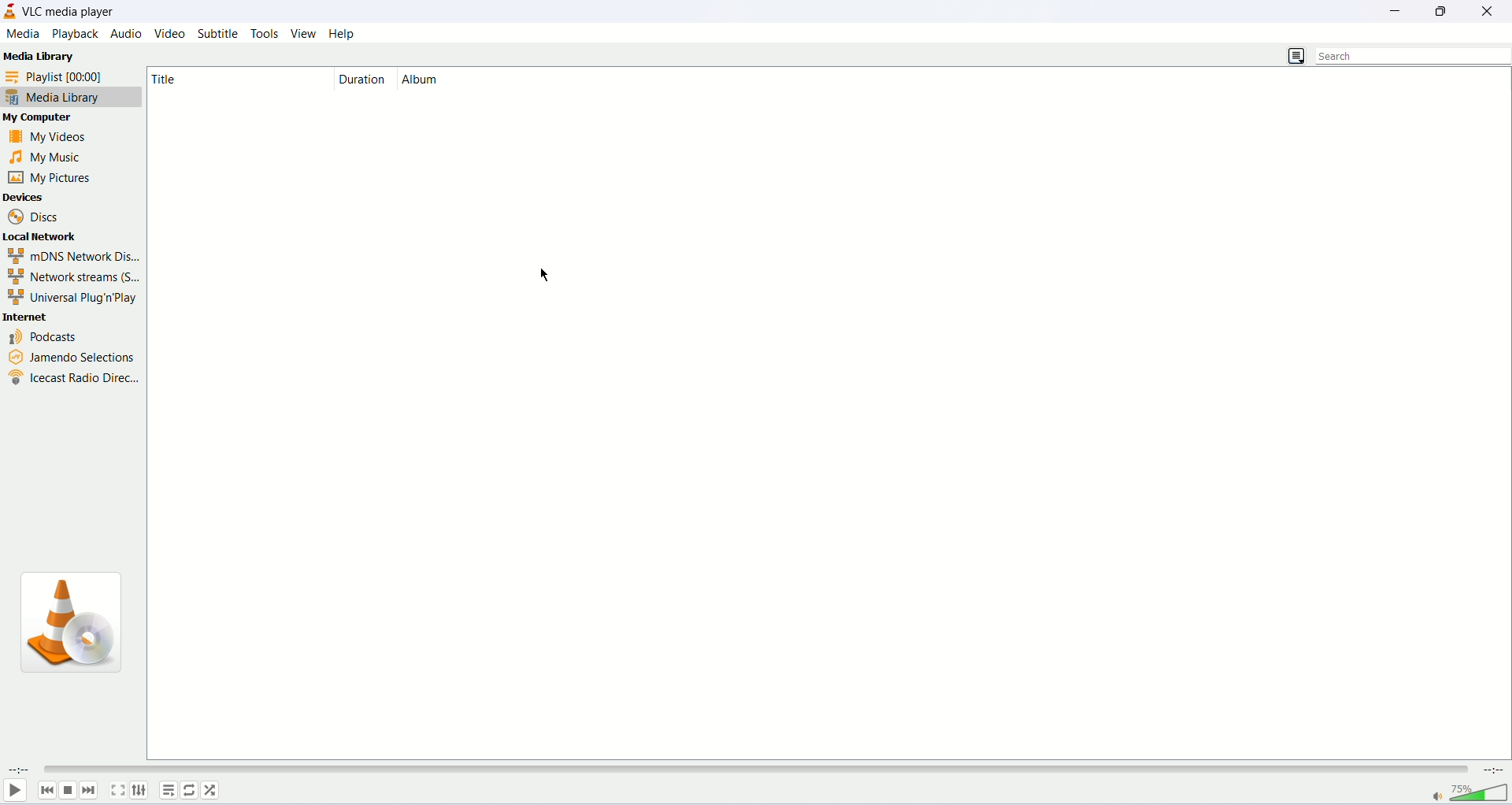 The width and height of the screenshot is (1512, 805). Describe the element at coordinates (342, 34) in the screenshot. I see `help` at that location.